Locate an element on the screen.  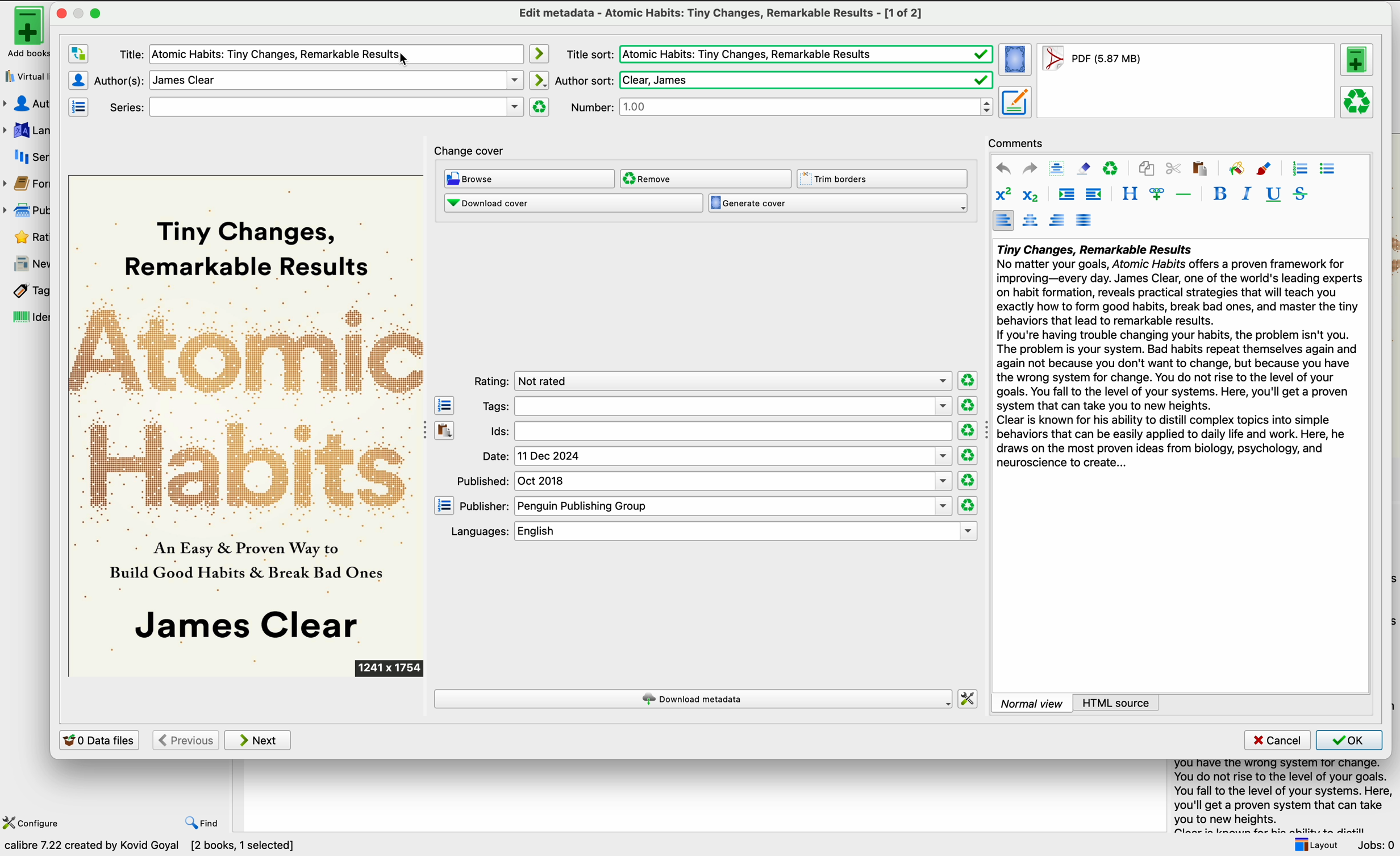
format book is located at coordinates (1091, 61).